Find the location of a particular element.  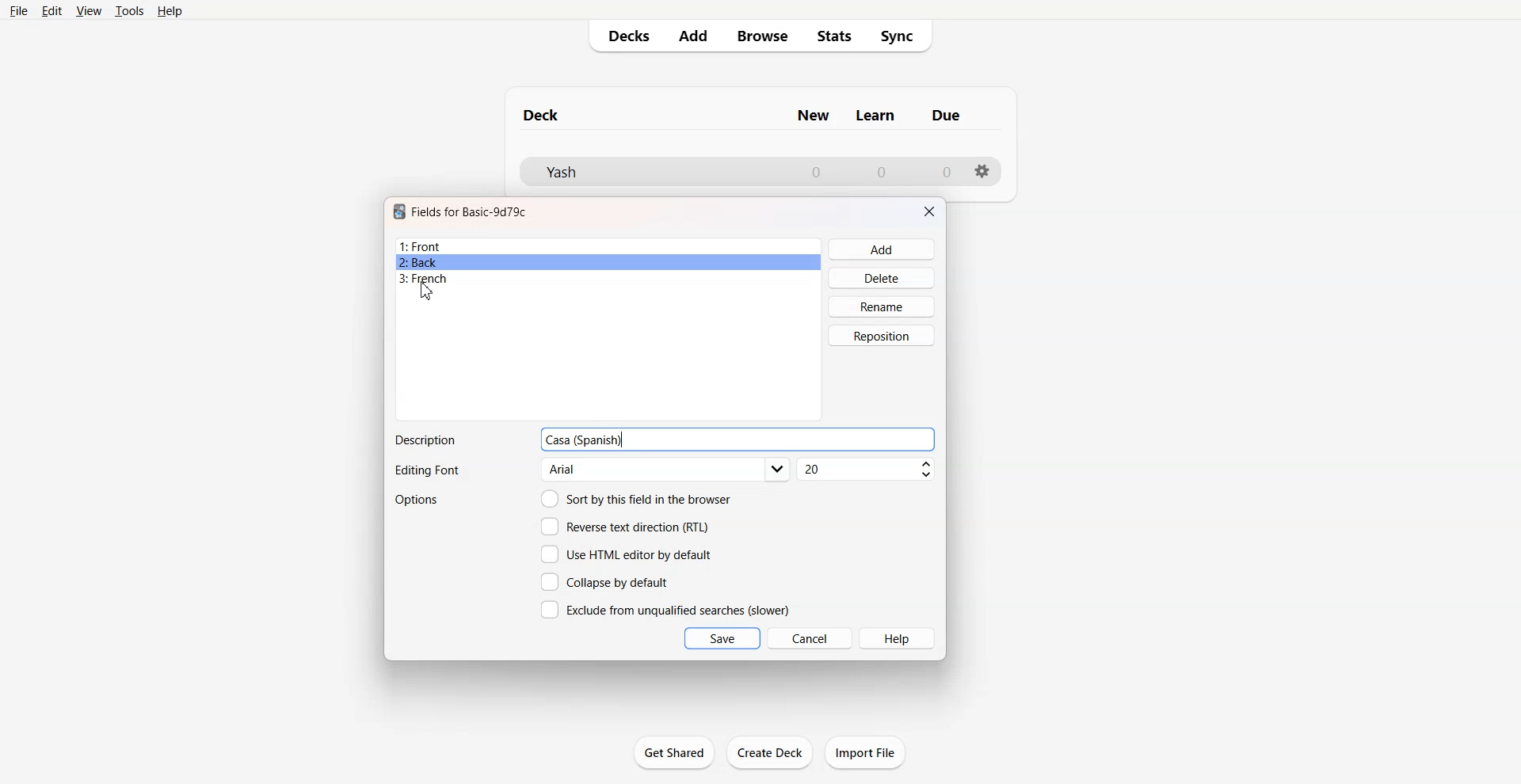

Use HTML editor by default is located at coordinates (626, 554).